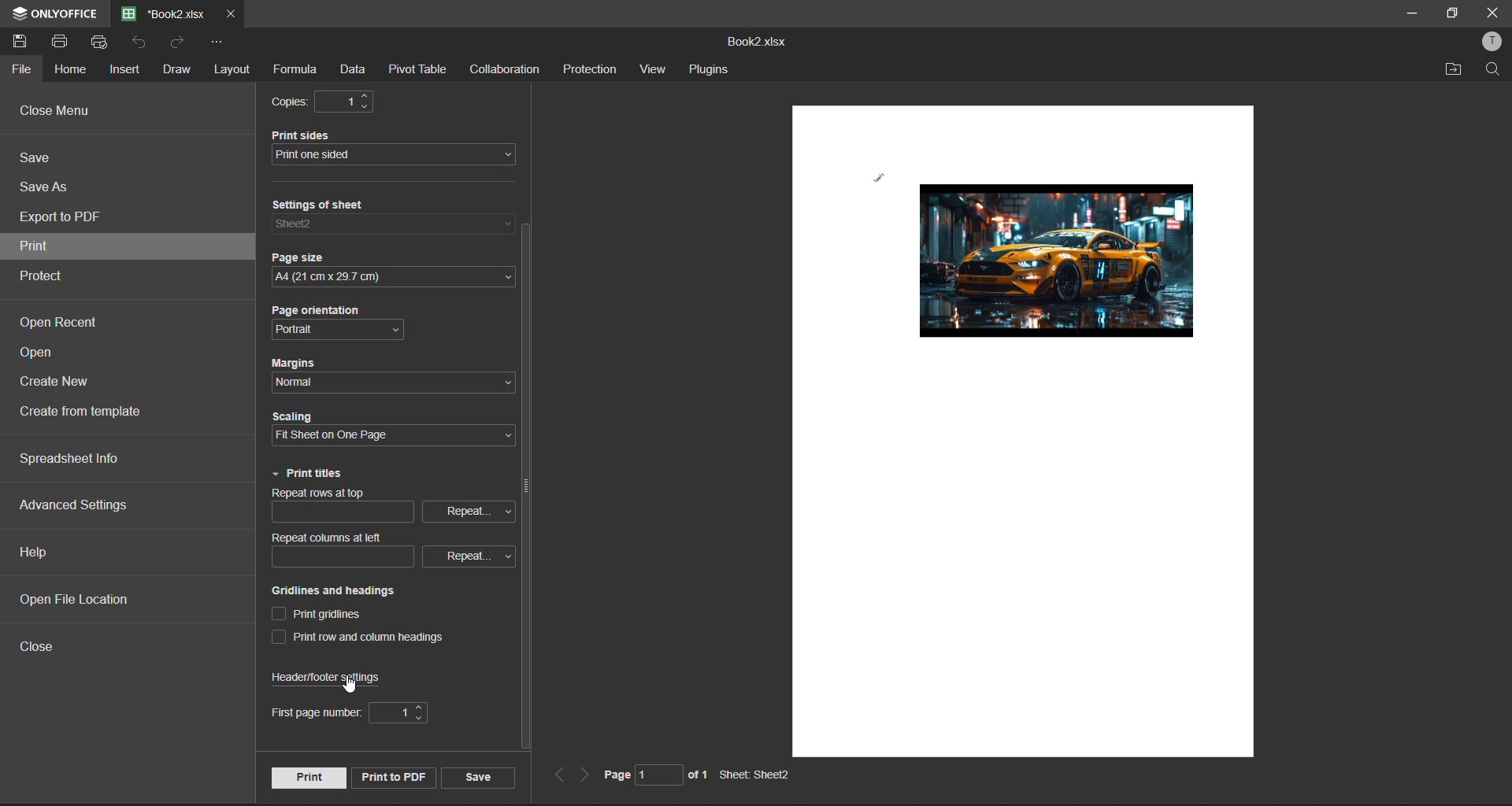 The height and width of the screenshot is (806, 1512). Describe the element at coordinates (294, 71) in the screenshot. I see `formula` at that location.